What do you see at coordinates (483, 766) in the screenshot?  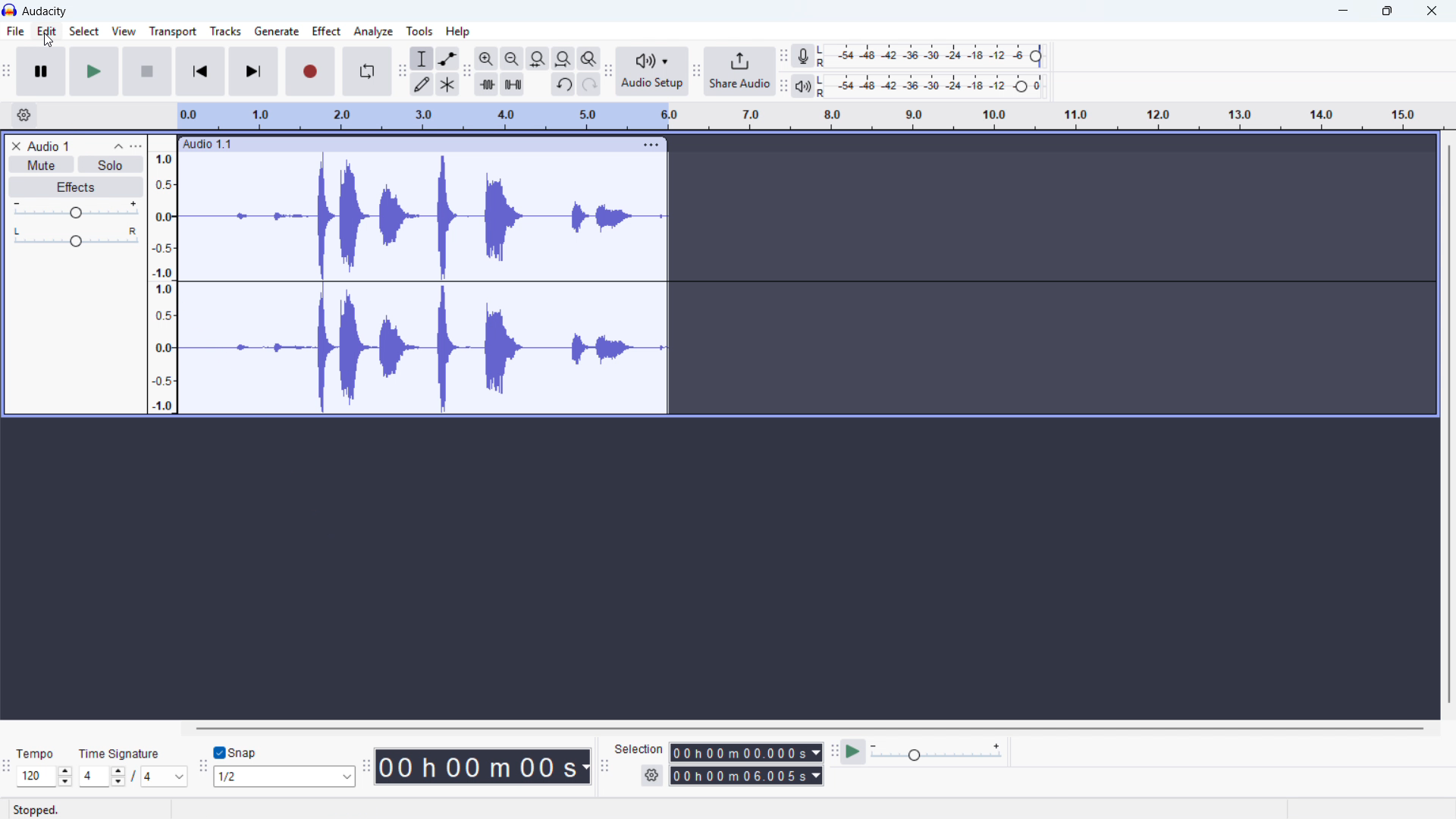 I see `timestamp` at bounding box center [483, 766].